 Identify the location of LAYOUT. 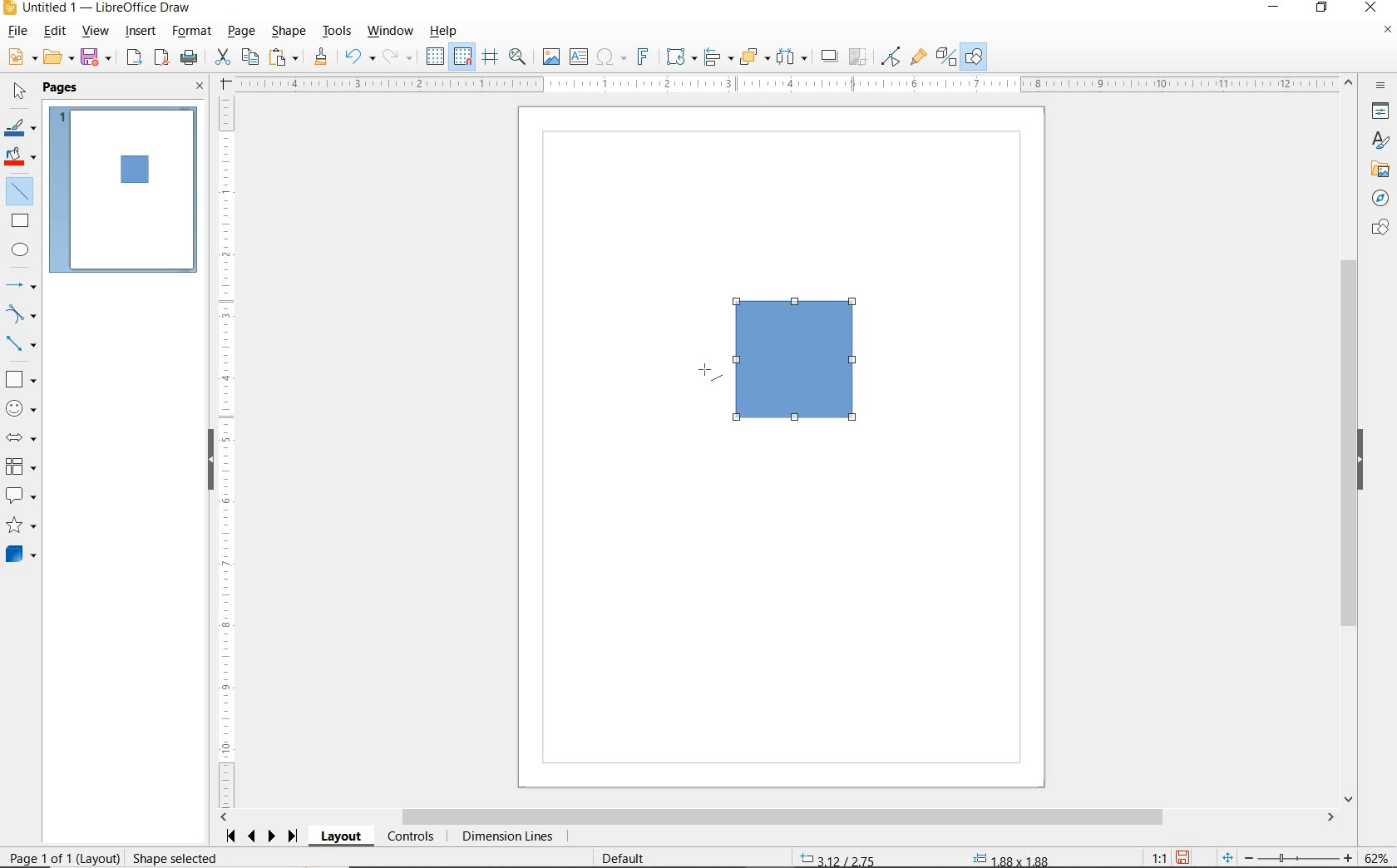
(343, 836).